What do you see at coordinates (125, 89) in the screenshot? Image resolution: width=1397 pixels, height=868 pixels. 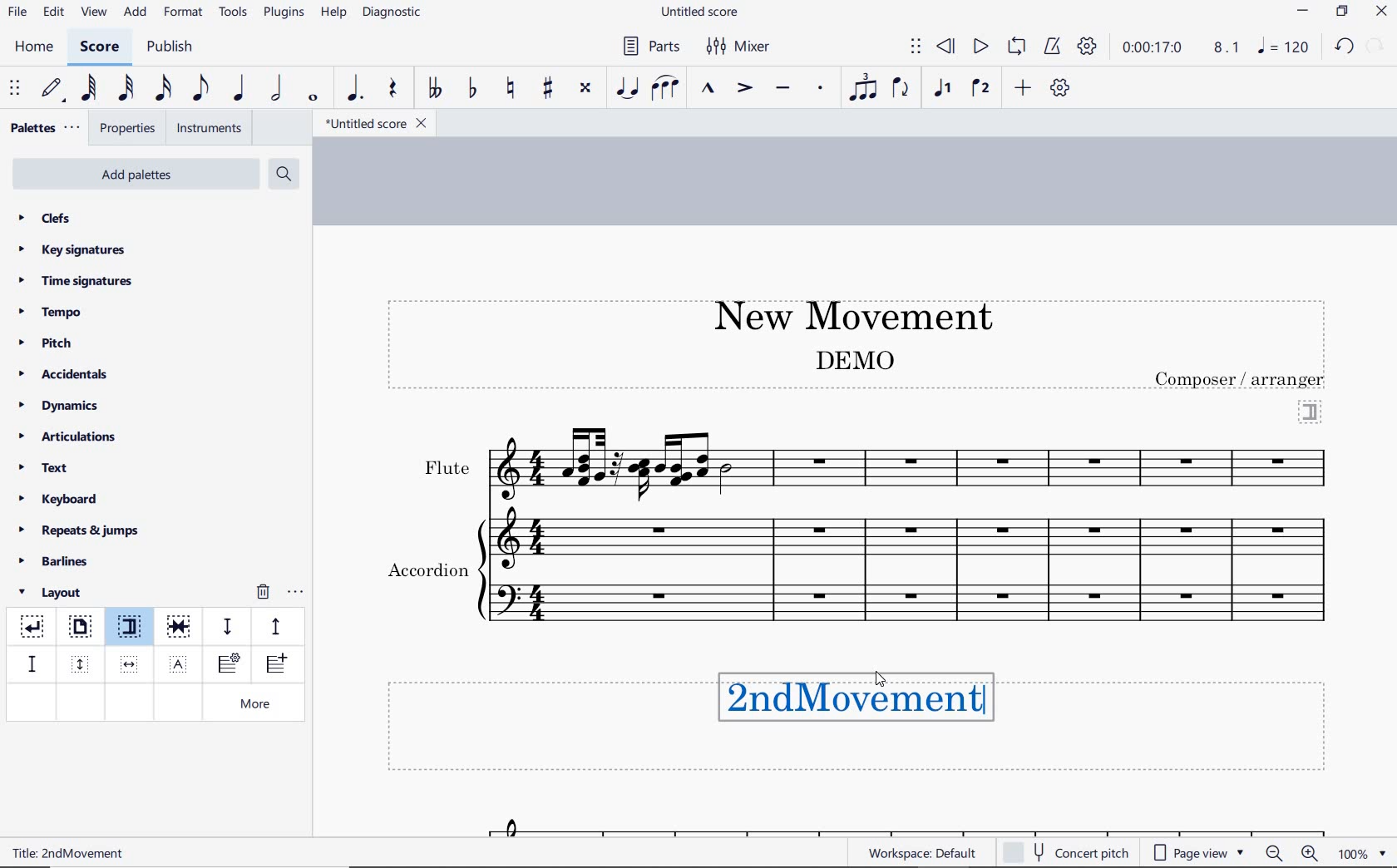 I see `32nd note` at bounding box center [125, 89].